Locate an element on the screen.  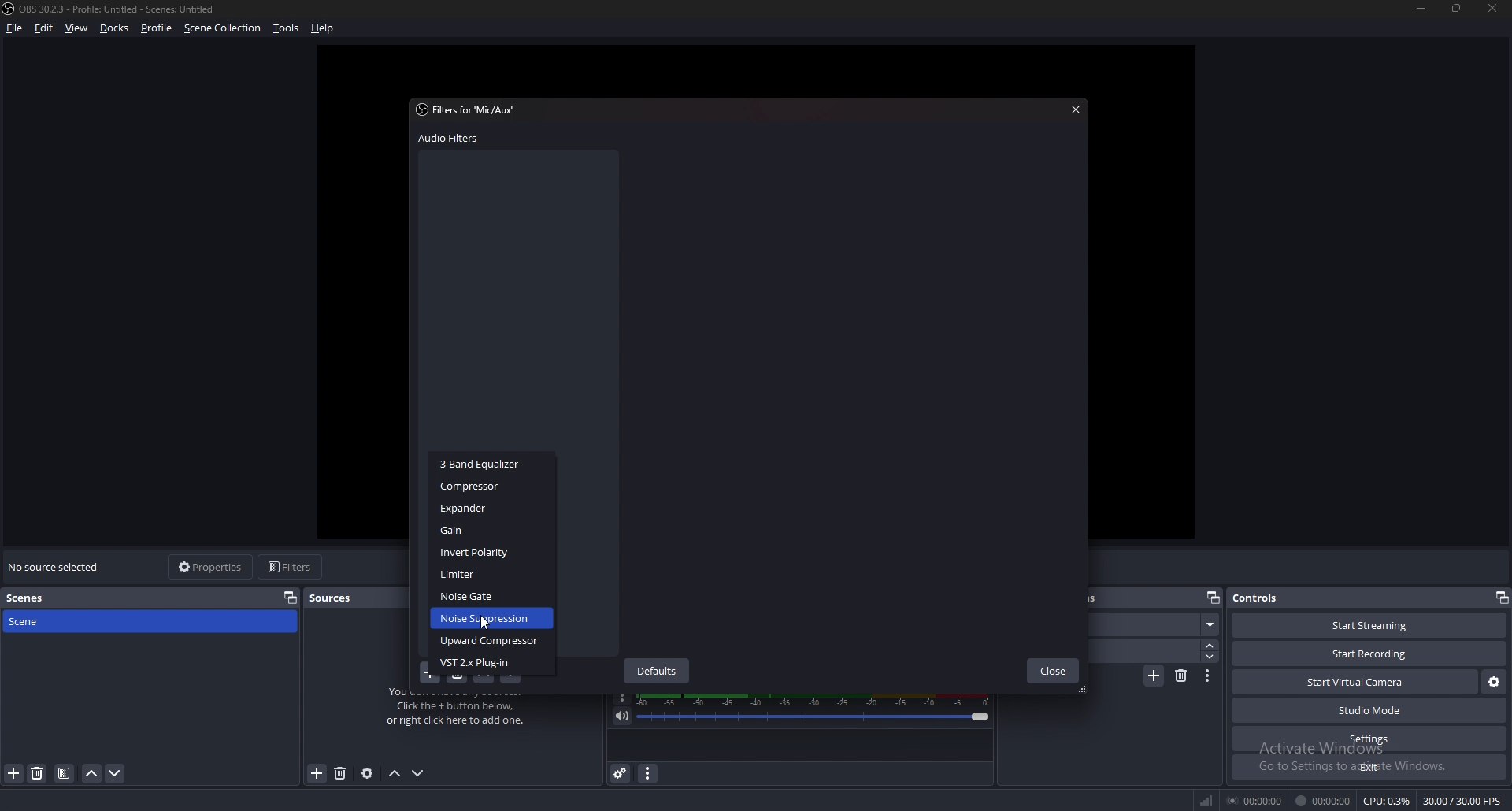
Noise Suppression is located at coordinates (487, 620).